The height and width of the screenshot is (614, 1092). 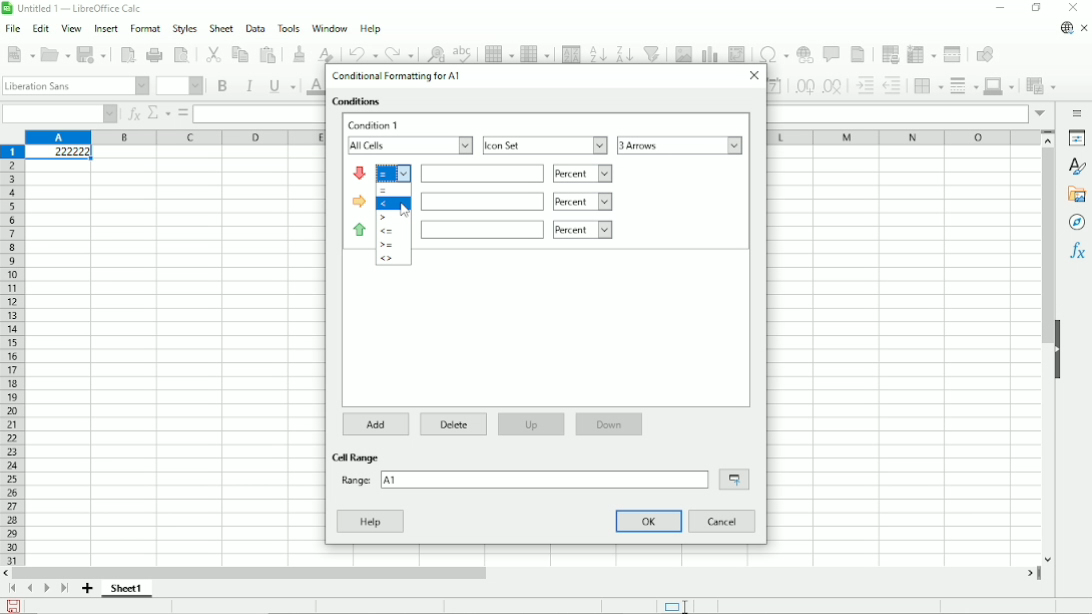 What do you see at coordinates (734, 479) in the screenshot?
I see `Shrink` at bounding box center [734, 479].